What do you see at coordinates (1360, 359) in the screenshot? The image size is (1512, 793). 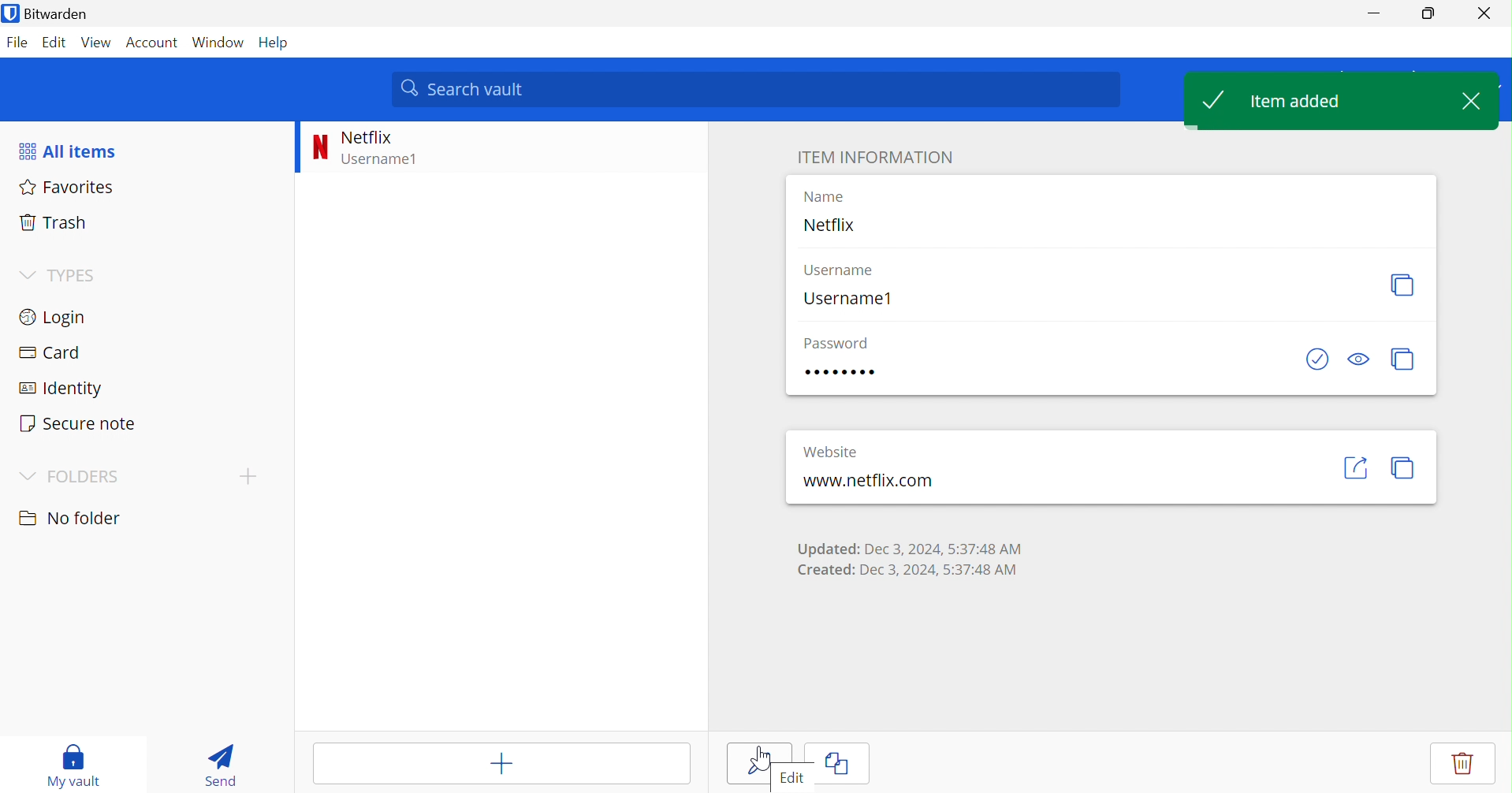 I see `Toggle visibility` at bounding box center [1360, 359].